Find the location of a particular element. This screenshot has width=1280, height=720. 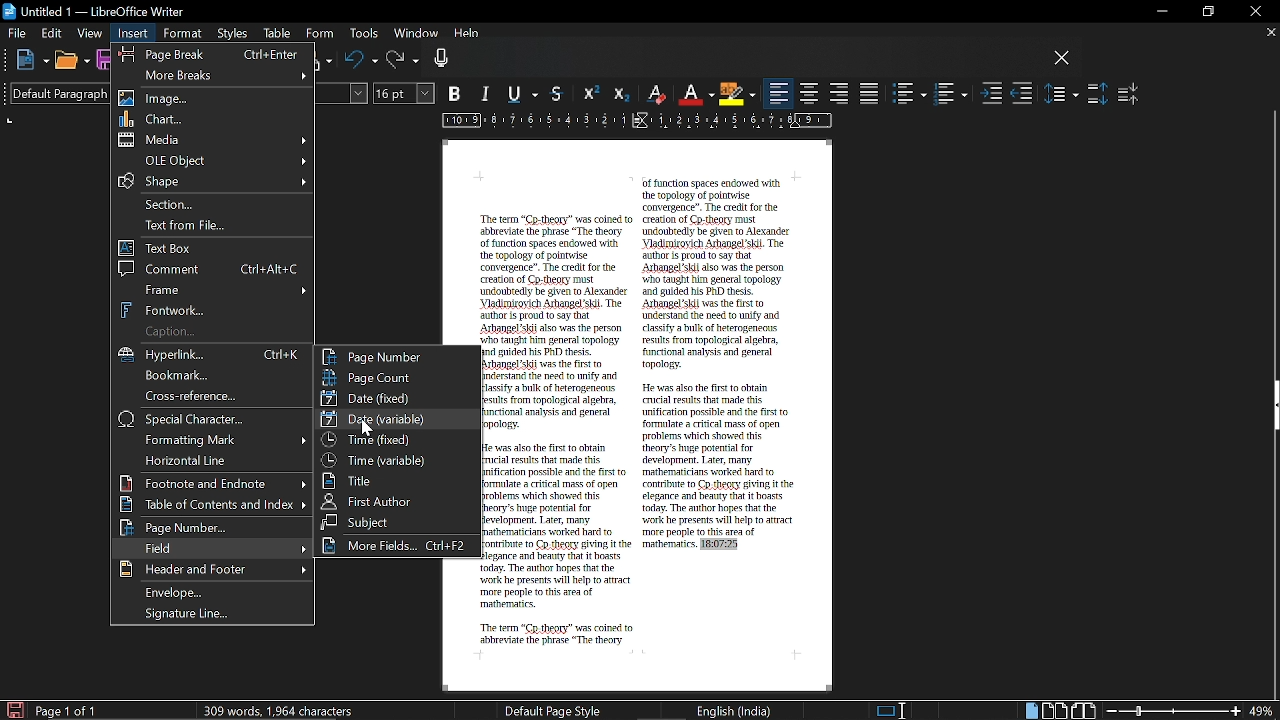

Find is located at coordinates (209, 548).